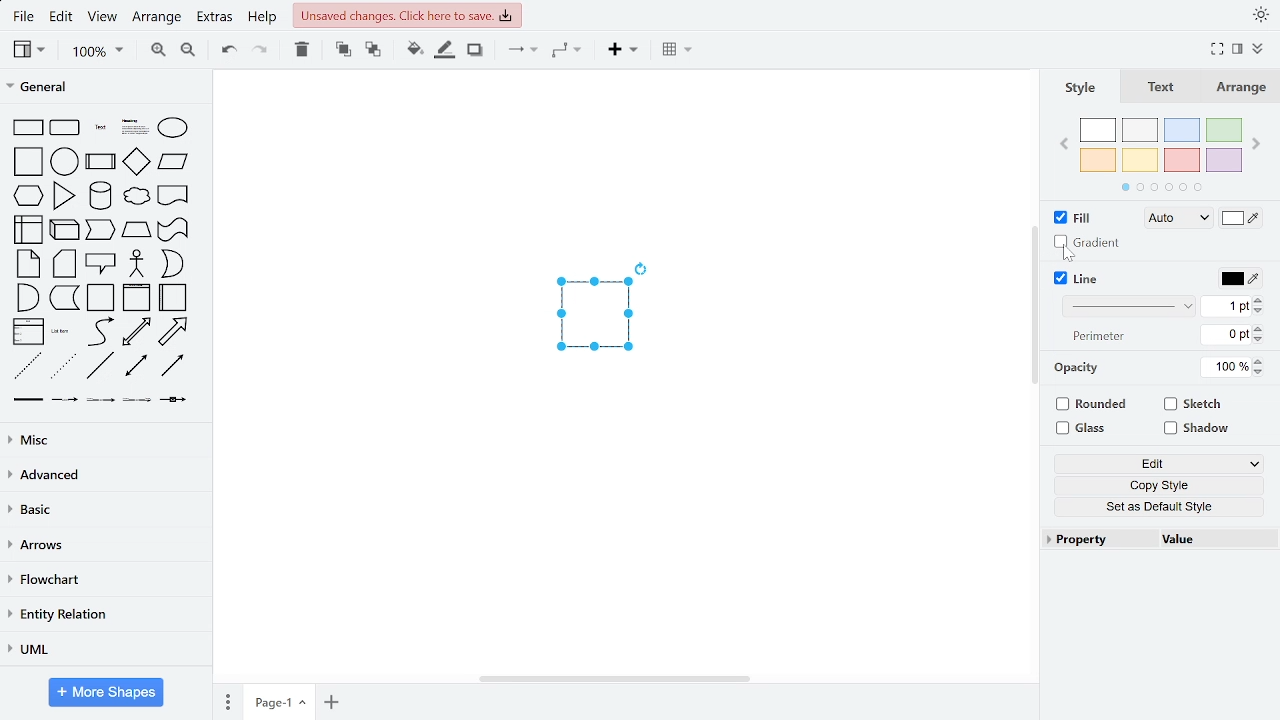 This screenshot has height=720, width=1280. What do you see at coordinates (174, 400) in the screenshot?
I see `` at bounding box center [174, 400].